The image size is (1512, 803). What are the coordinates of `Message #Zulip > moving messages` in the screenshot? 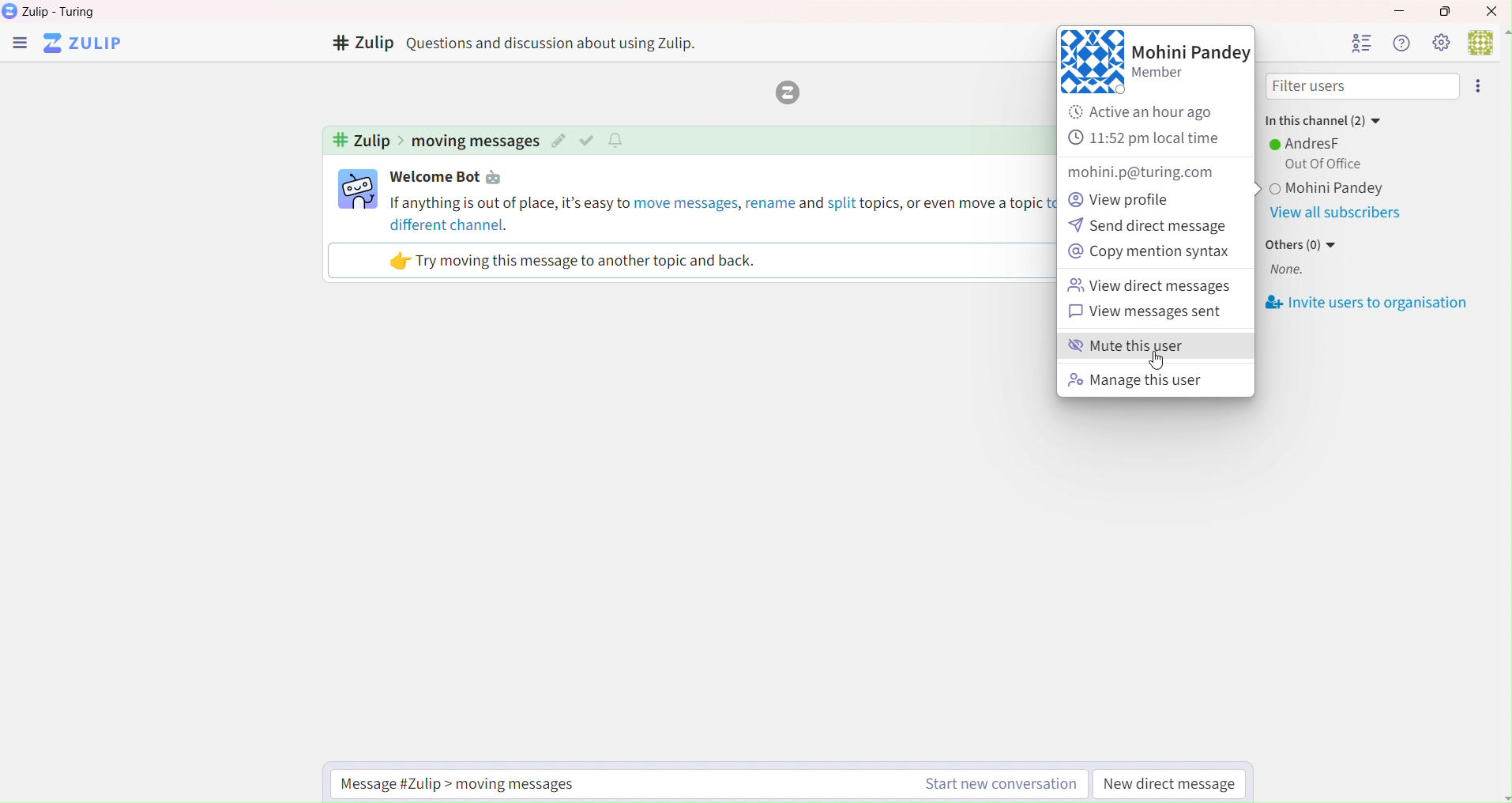 It's located at (469, 783).